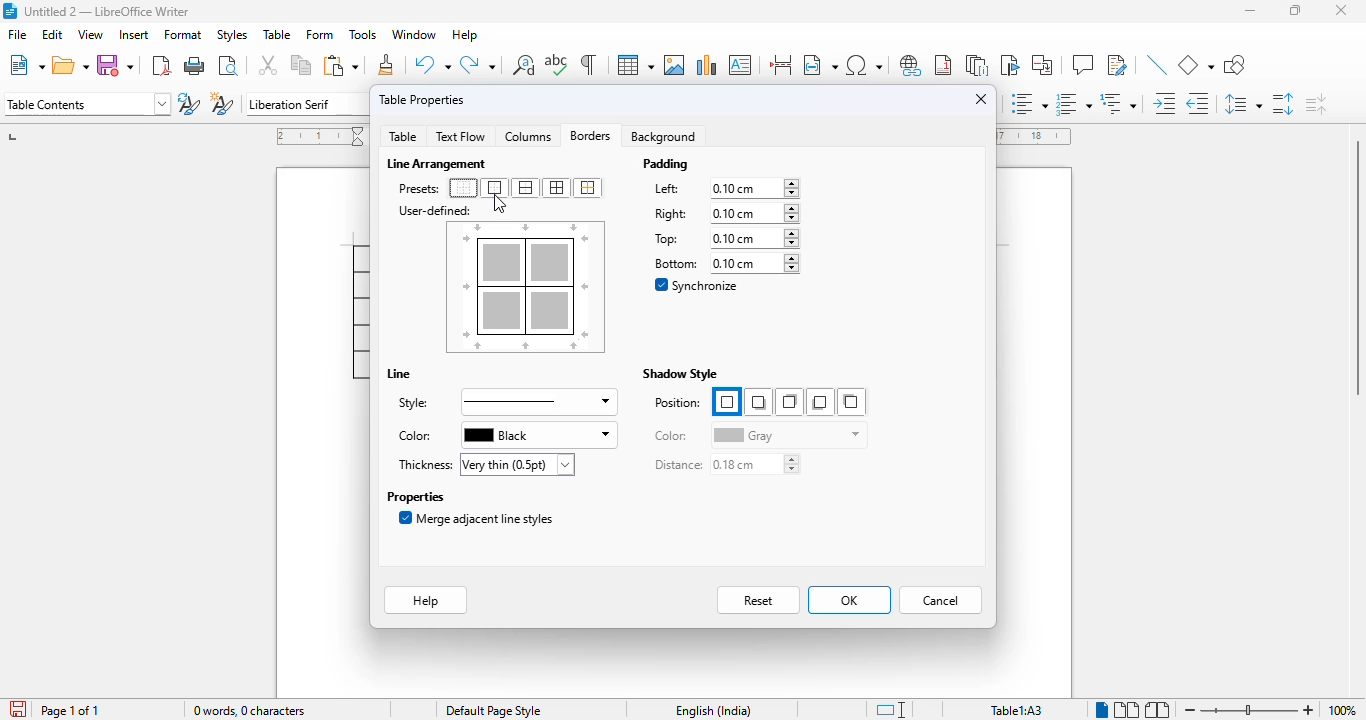 The width and height of the screenshot is (1366, 720). Describe the element at coordinates (422, 99) in the screenshot. I see `table properties` at that location.